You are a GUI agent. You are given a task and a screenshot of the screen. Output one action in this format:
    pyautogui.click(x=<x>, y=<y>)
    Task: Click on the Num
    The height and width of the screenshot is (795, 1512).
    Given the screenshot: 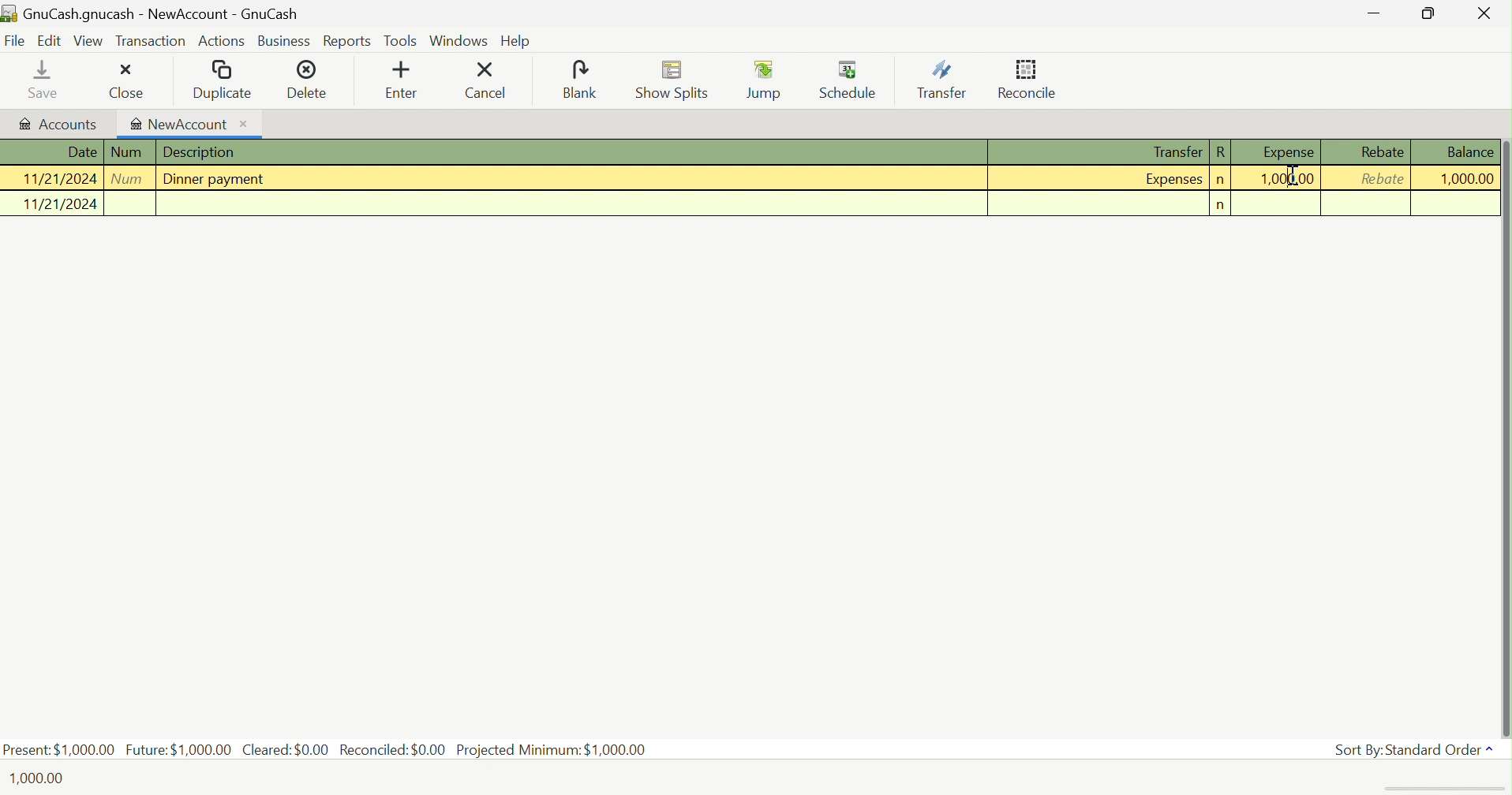 What is the action you would take?
    pyautogui.click(x=130, y=179)
    